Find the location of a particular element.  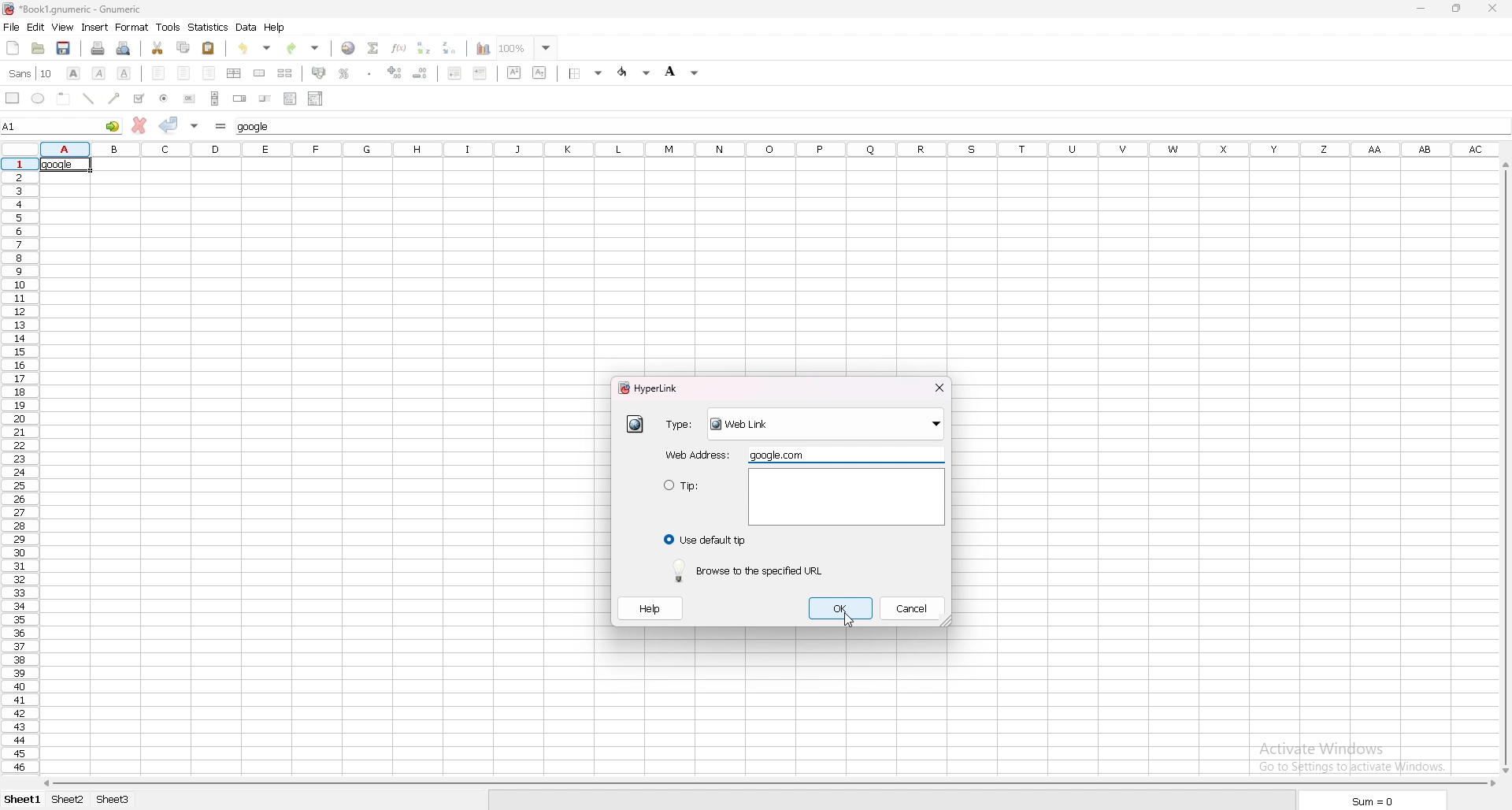

selected cell is located at coordinates (64, 165).